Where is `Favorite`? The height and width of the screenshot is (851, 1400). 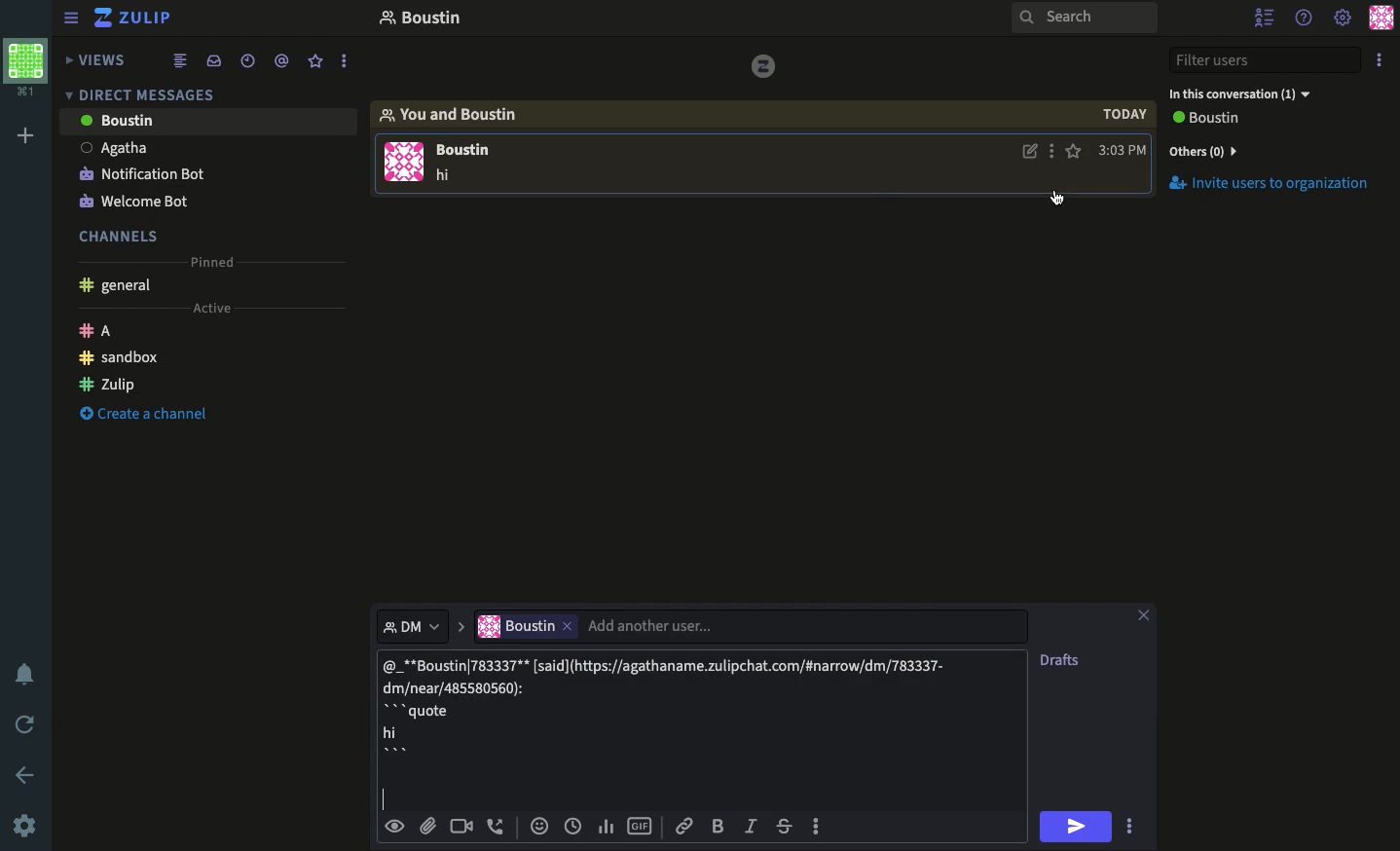
Favorite is located at coordinates (1075, 151).